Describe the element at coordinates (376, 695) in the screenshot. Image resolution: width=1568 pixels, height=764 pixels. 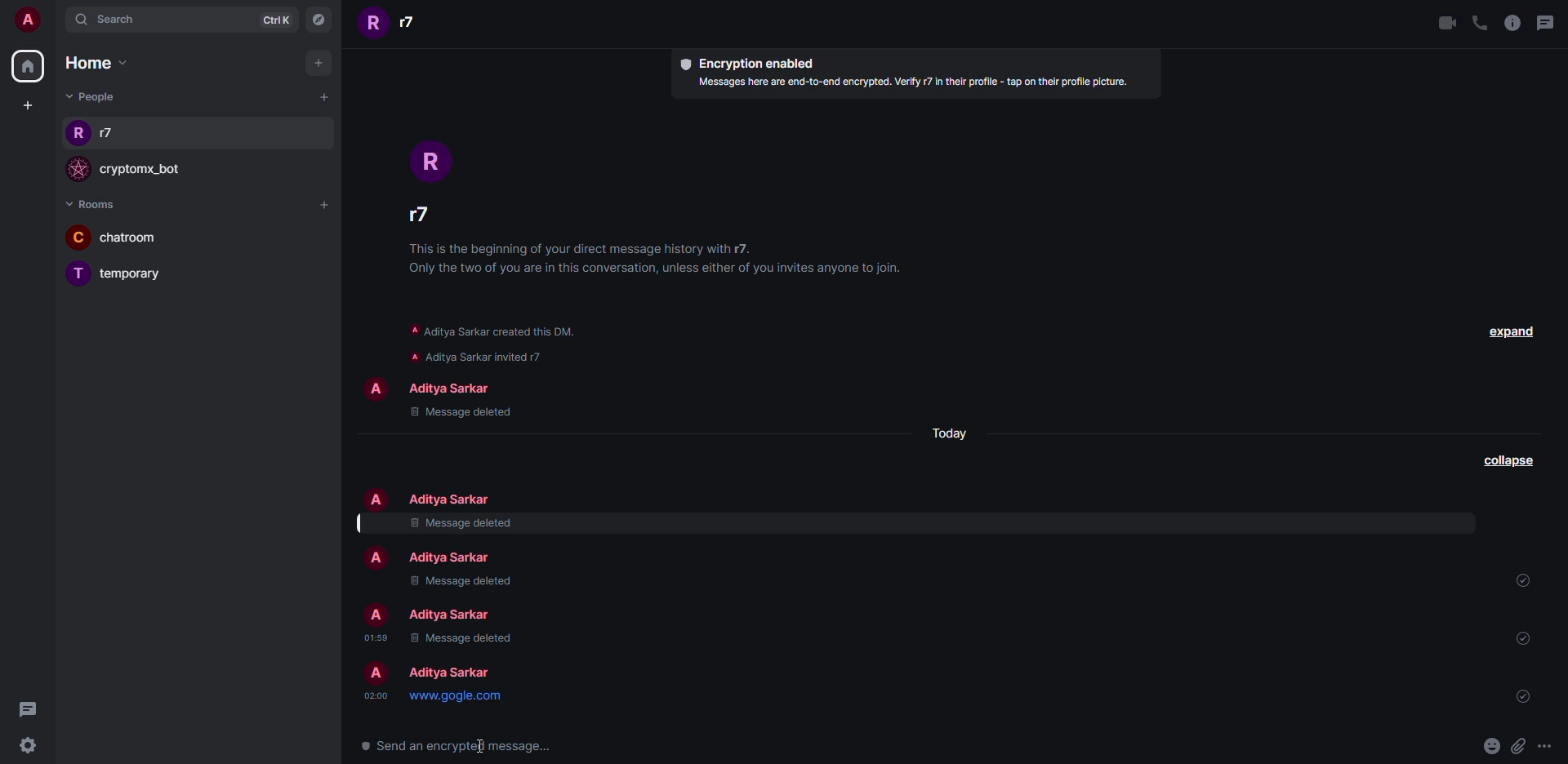
I see `time` at that location.